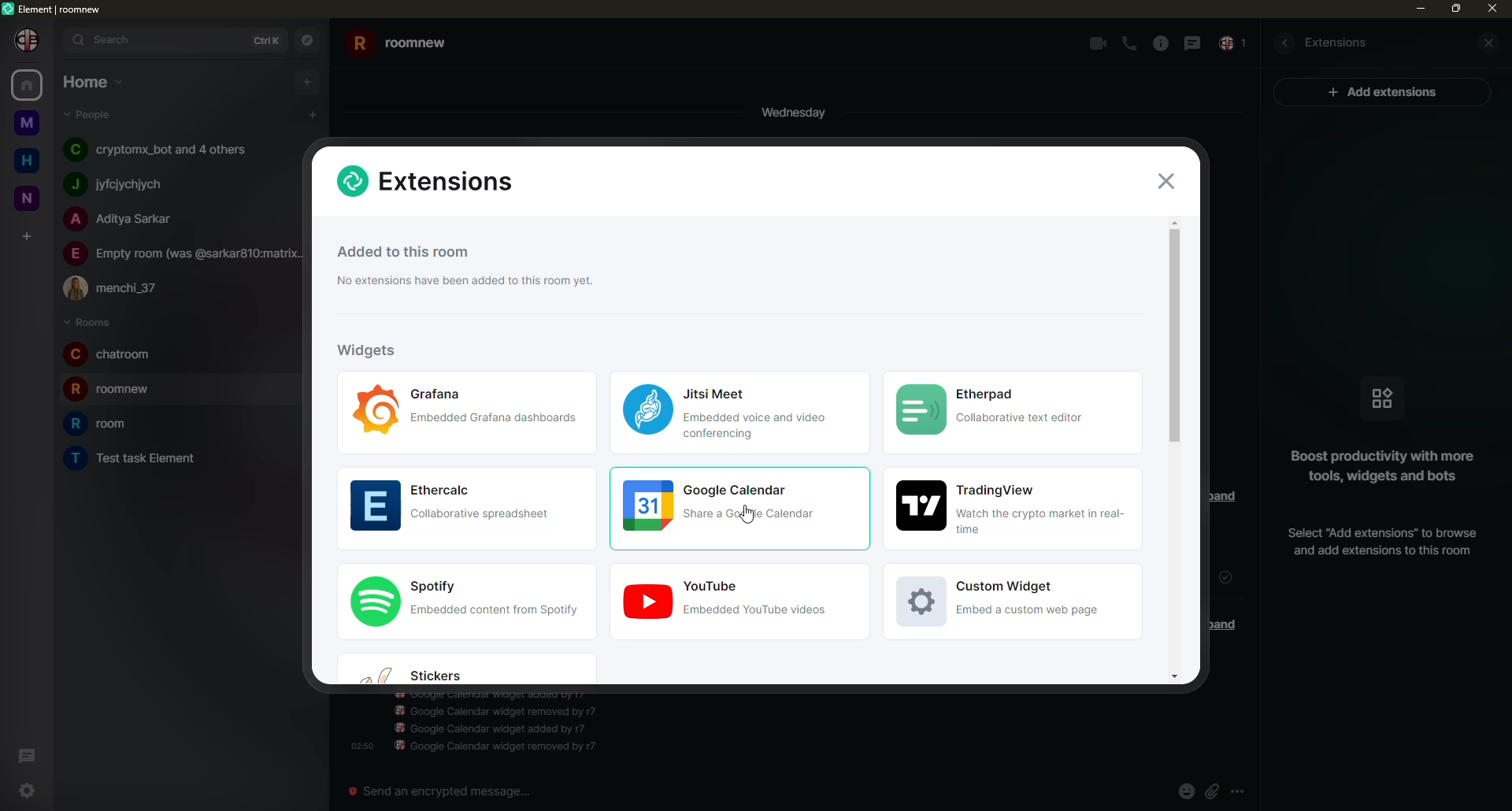 The image size is (1512, 811). What do you see at coordinates (1492, 42) in the screenshot?
I see `close` at bounding box center [1492, 42].